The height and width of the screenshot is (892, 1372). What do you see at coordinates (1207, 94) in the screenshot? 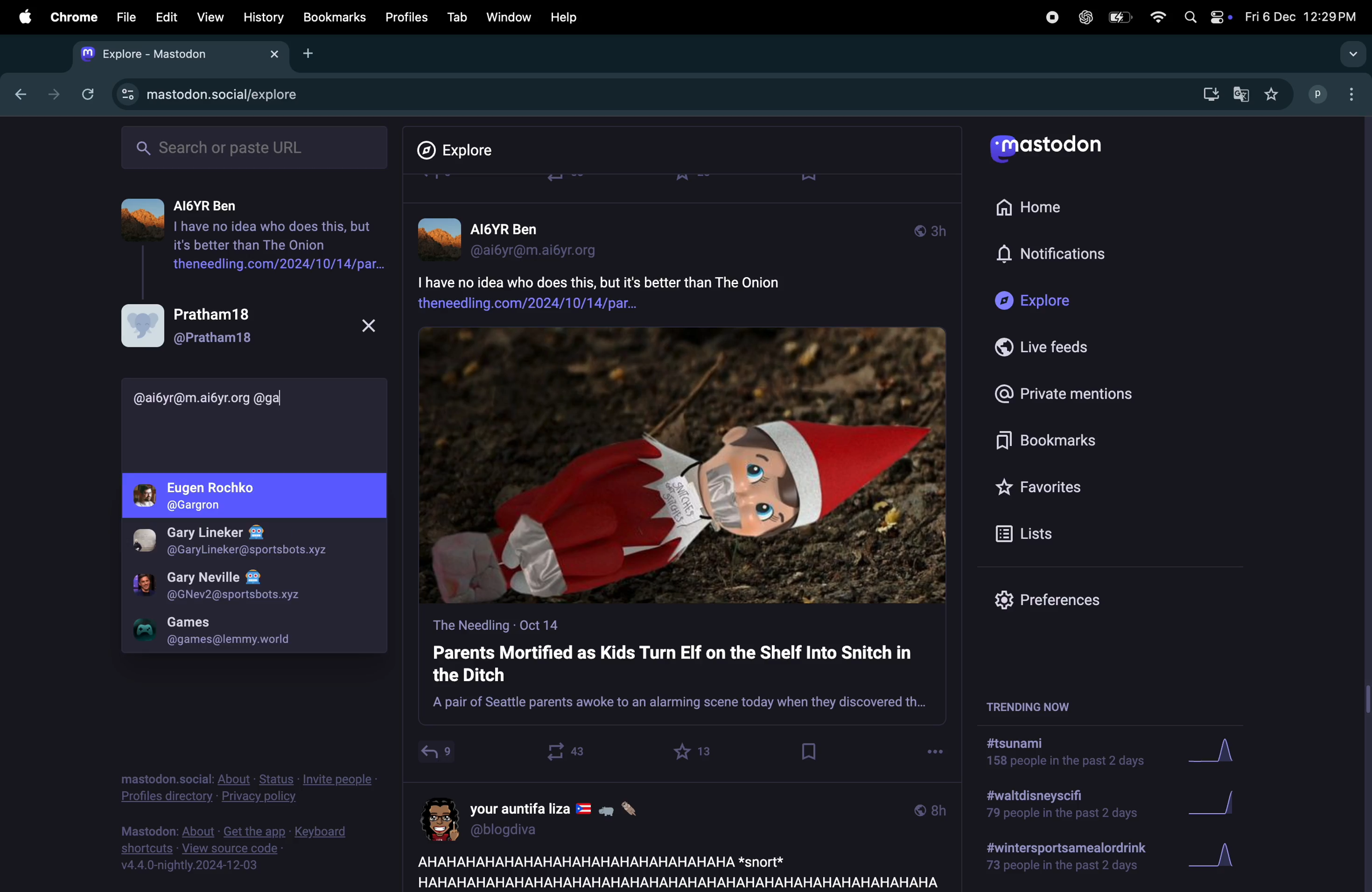
I see `download masto don` at bounding box center [1207, 94].